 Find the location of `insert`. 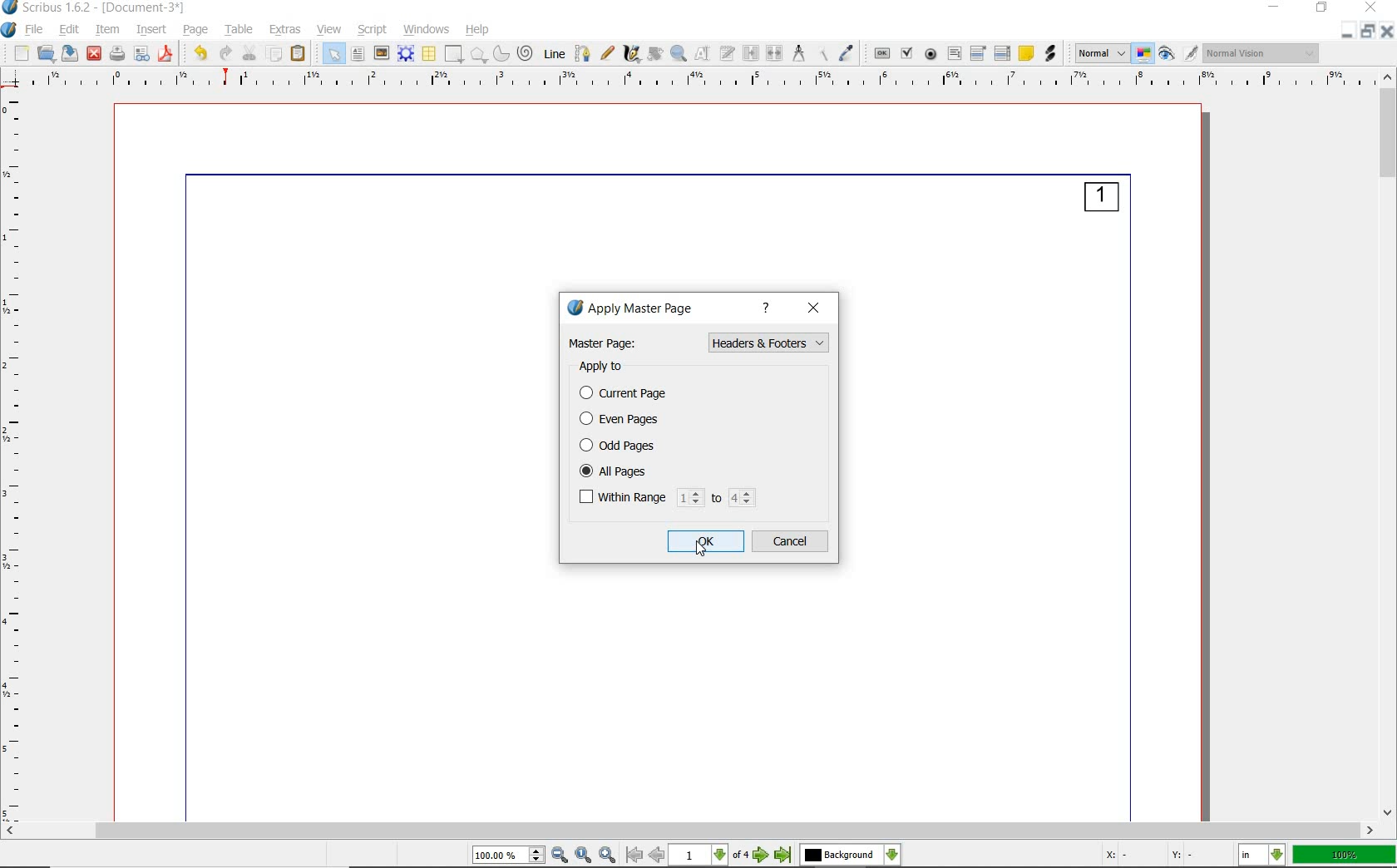

insert is located at coordinates (151, 31).